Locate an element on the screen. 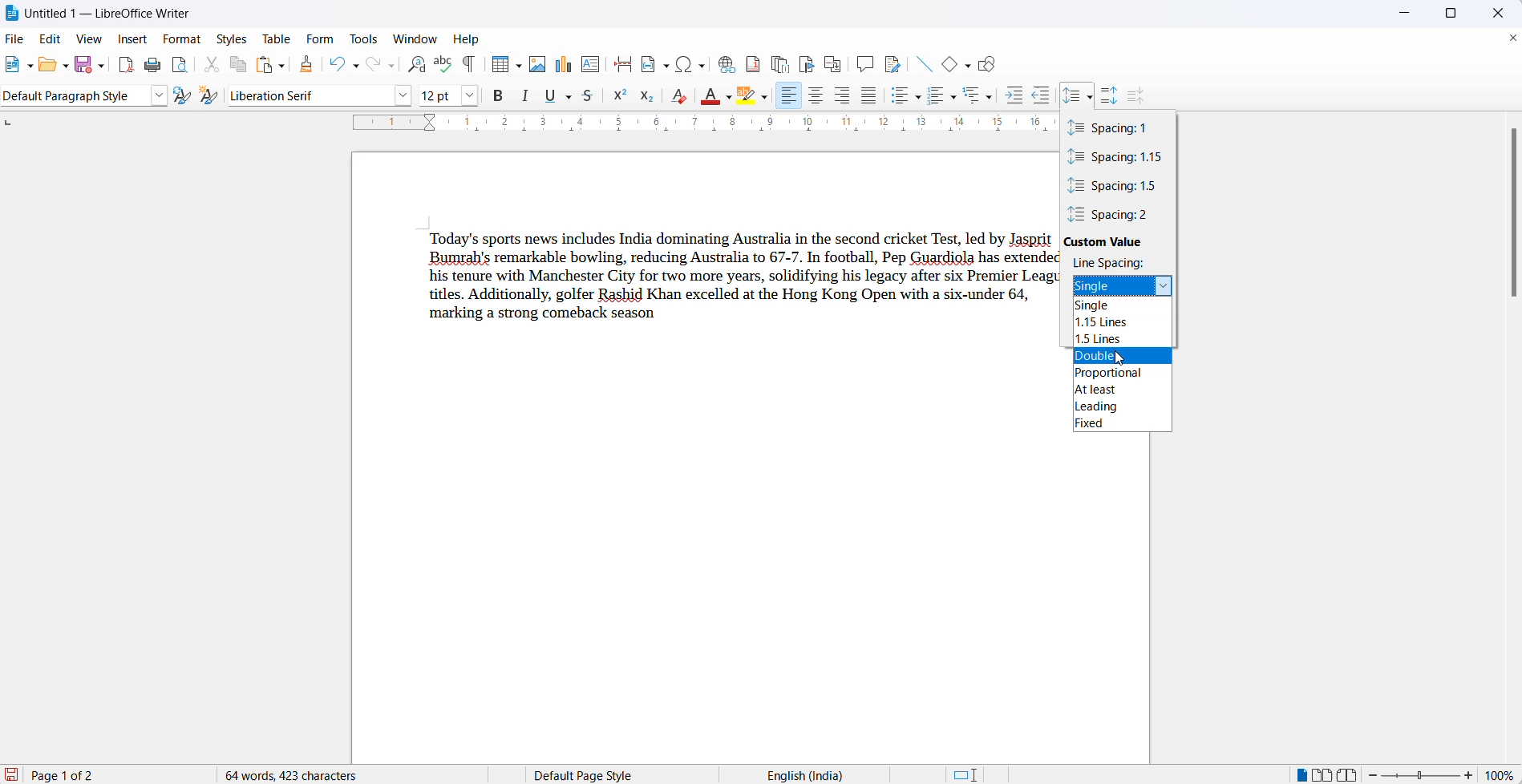 The width and height of the screenshot is (1522, 784). at least is located at coordinates (1125, 393).